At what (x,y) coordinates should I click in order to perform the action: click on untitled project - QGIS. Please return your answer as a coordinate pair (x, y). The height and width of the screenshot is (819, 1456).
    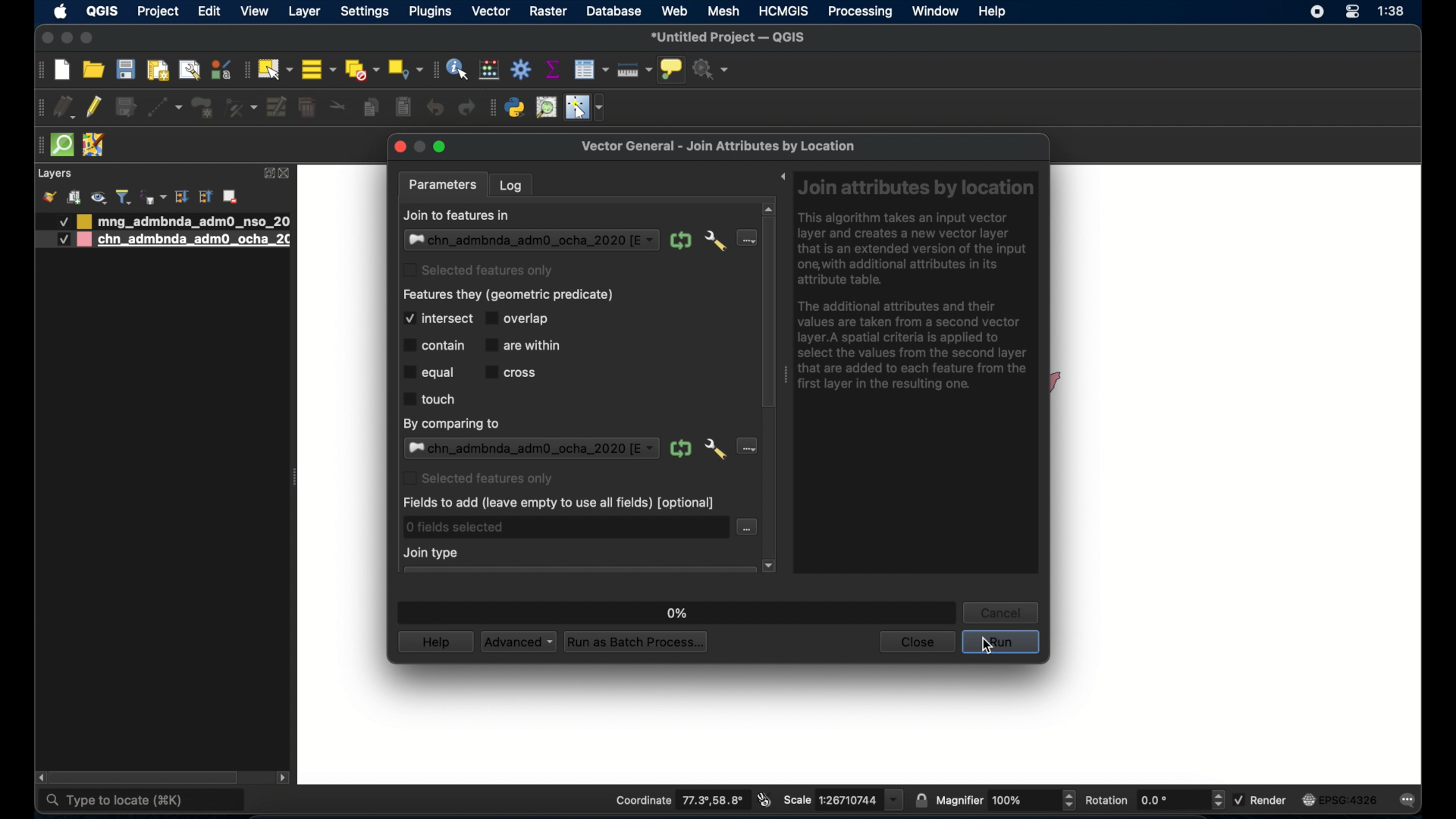
    Looking at the image, I should click on (730, 39).